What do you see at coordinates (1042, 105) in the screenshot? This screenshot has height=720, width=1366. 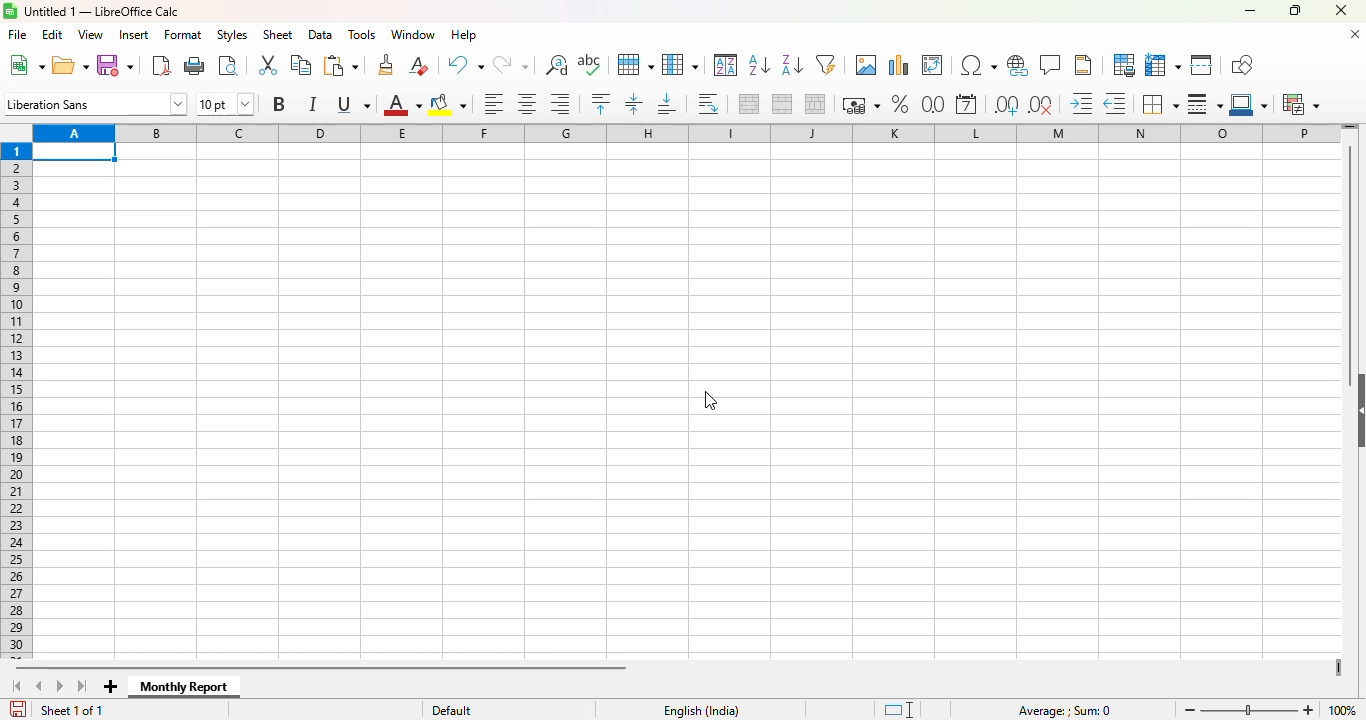 I see `delete decimal place` at bounding box center [1042, 105].